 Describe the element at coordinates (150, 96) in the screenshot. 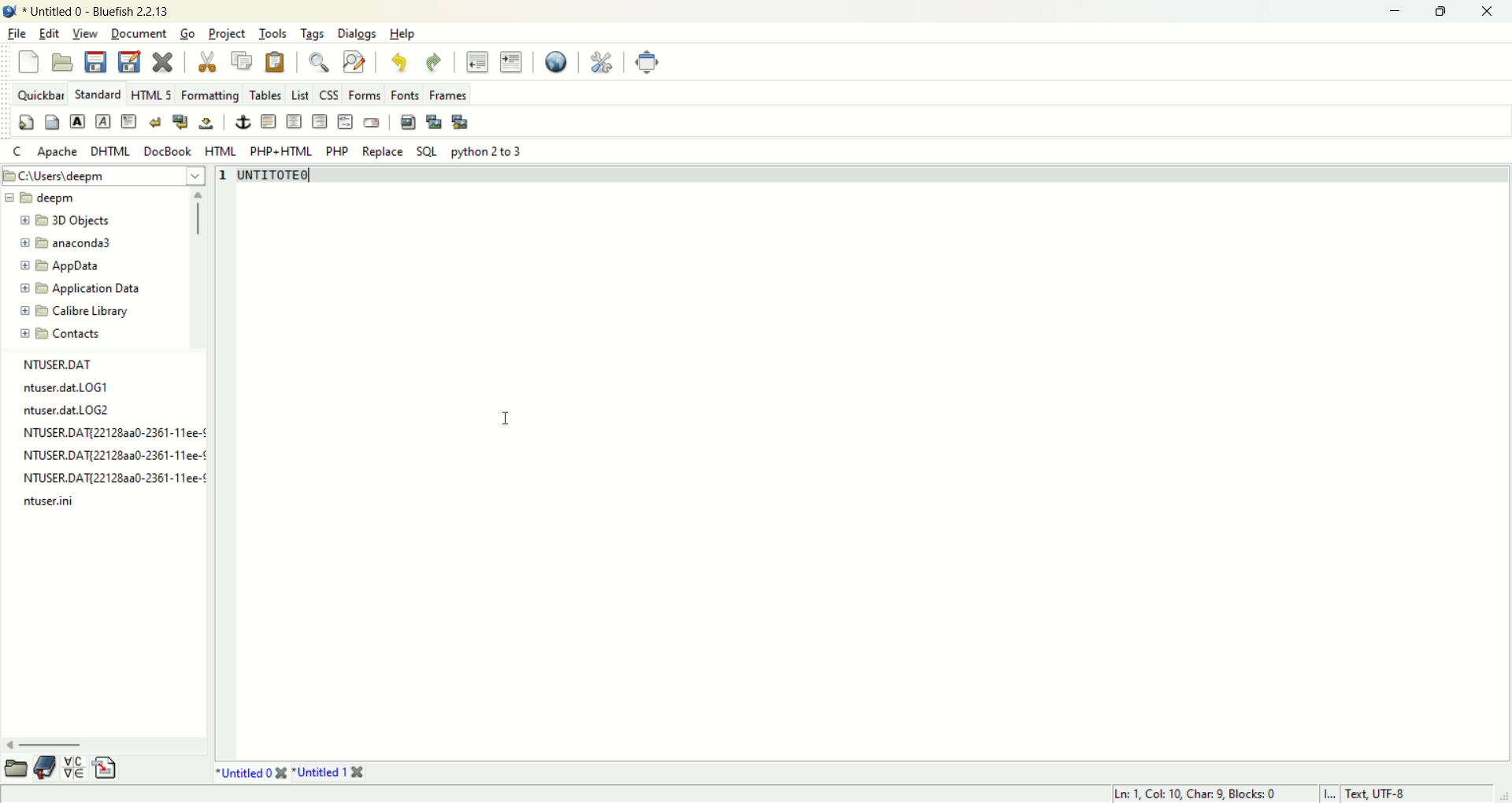

I see `HTML 5` at that location.